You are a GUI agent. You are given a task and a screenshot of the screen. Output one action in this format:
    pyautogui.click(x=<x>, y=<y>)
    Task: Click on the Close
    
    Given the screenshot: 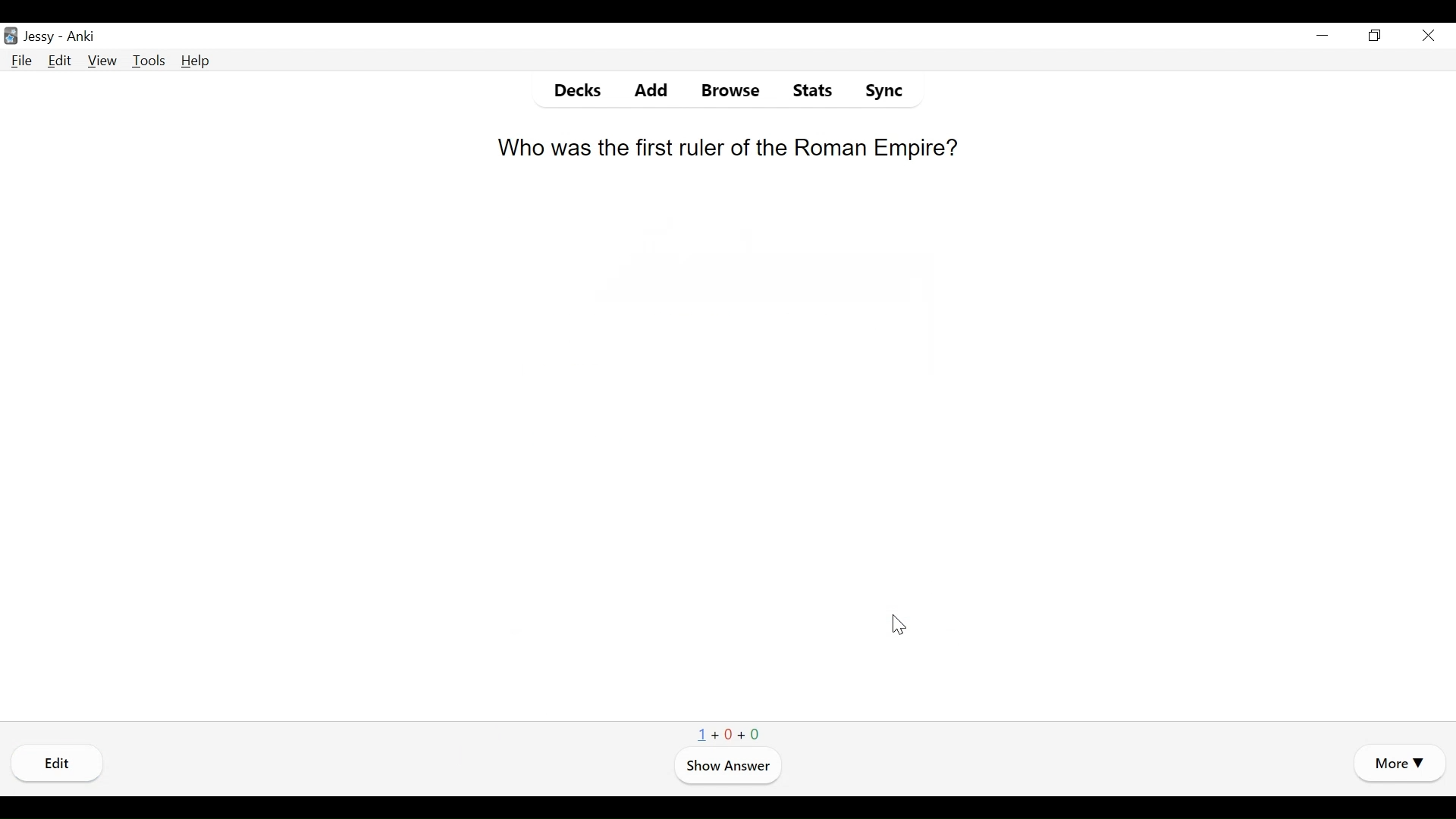 What is the action you would take?
    pyautogui.click(x=1426, y=35)
    